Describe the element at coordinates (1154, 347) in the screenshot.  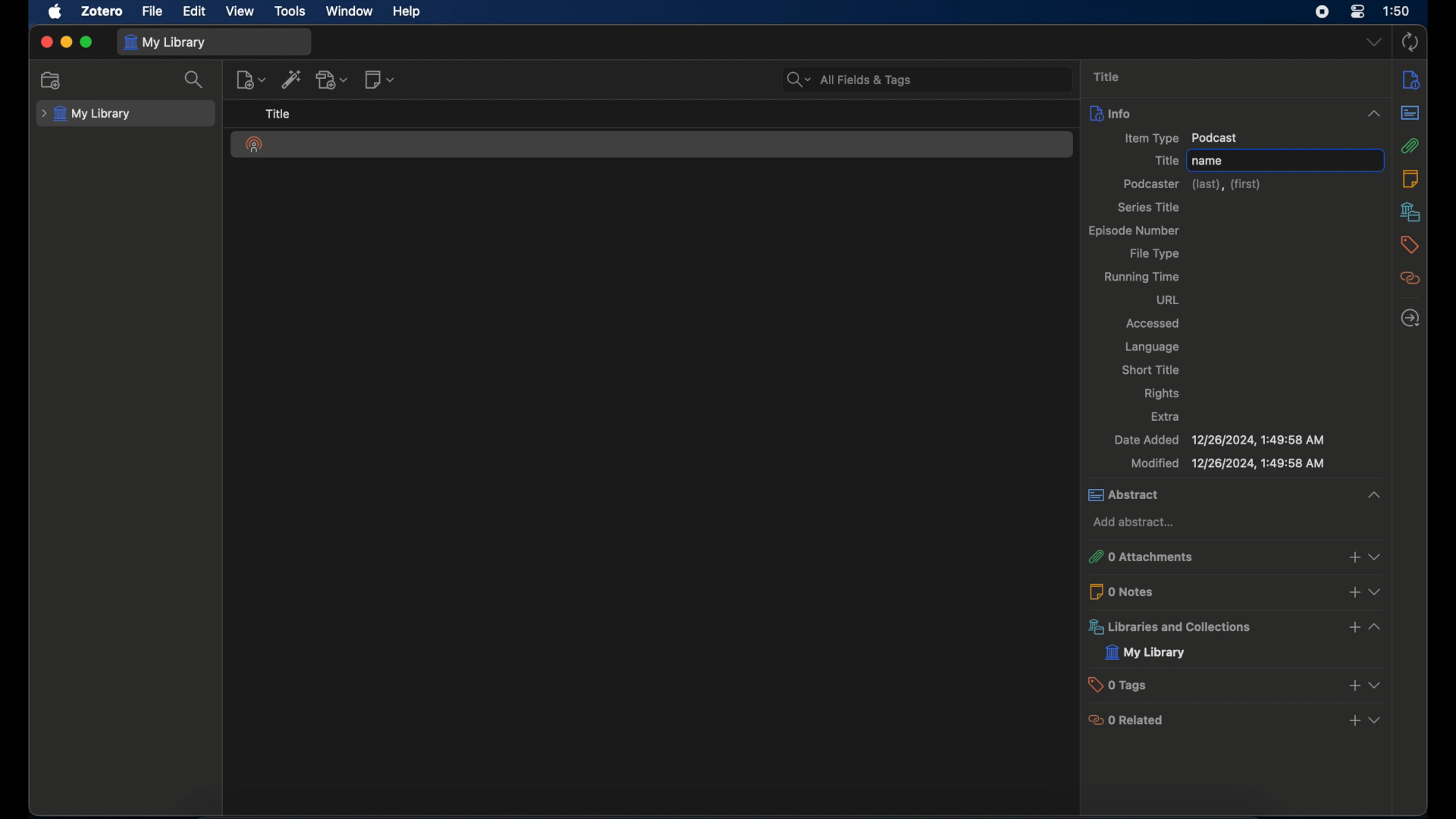
I see `language` at that location.